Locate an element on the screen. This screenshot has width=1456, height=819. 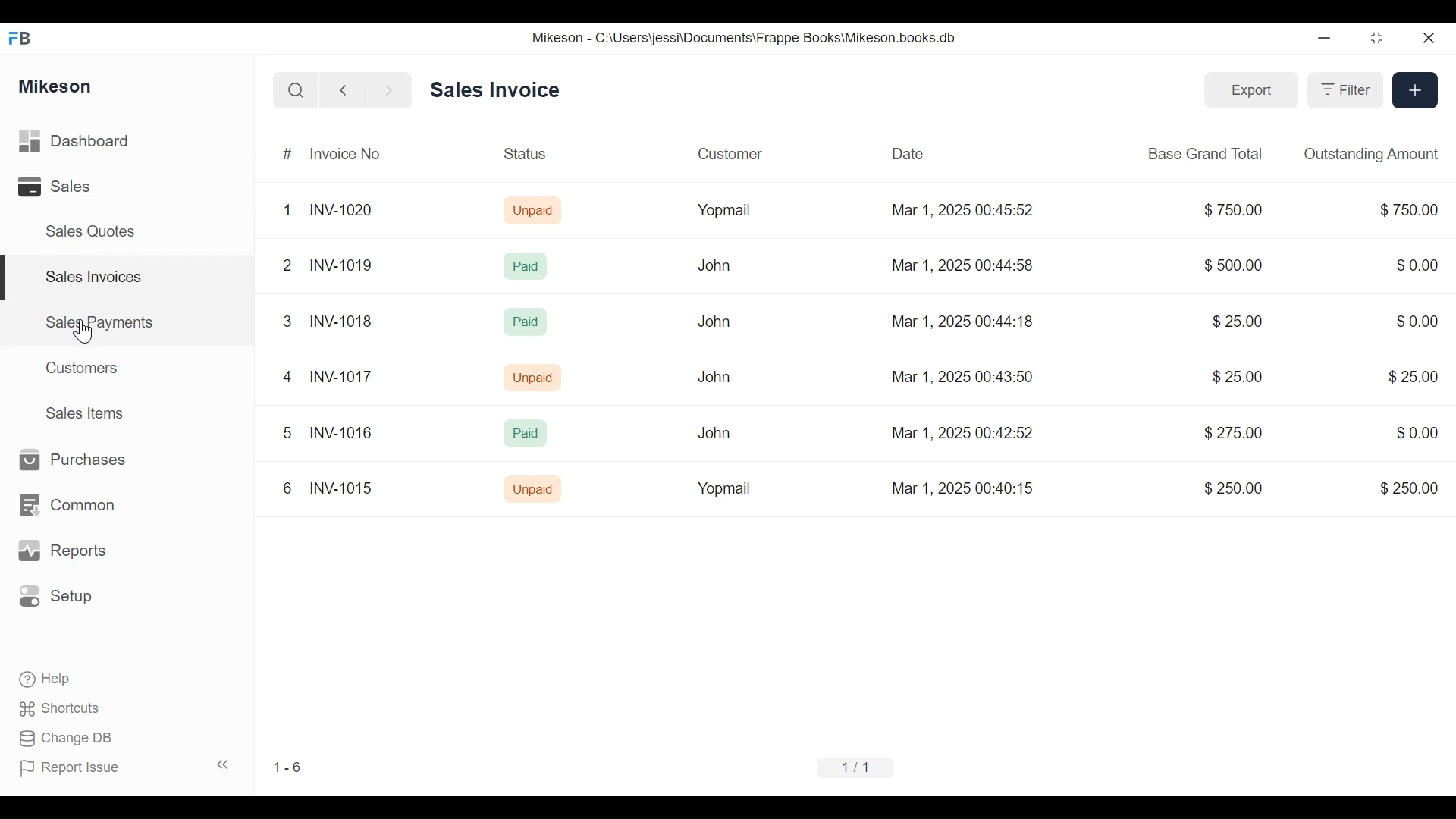
INV-1017 is located at coordinates (340, 378).